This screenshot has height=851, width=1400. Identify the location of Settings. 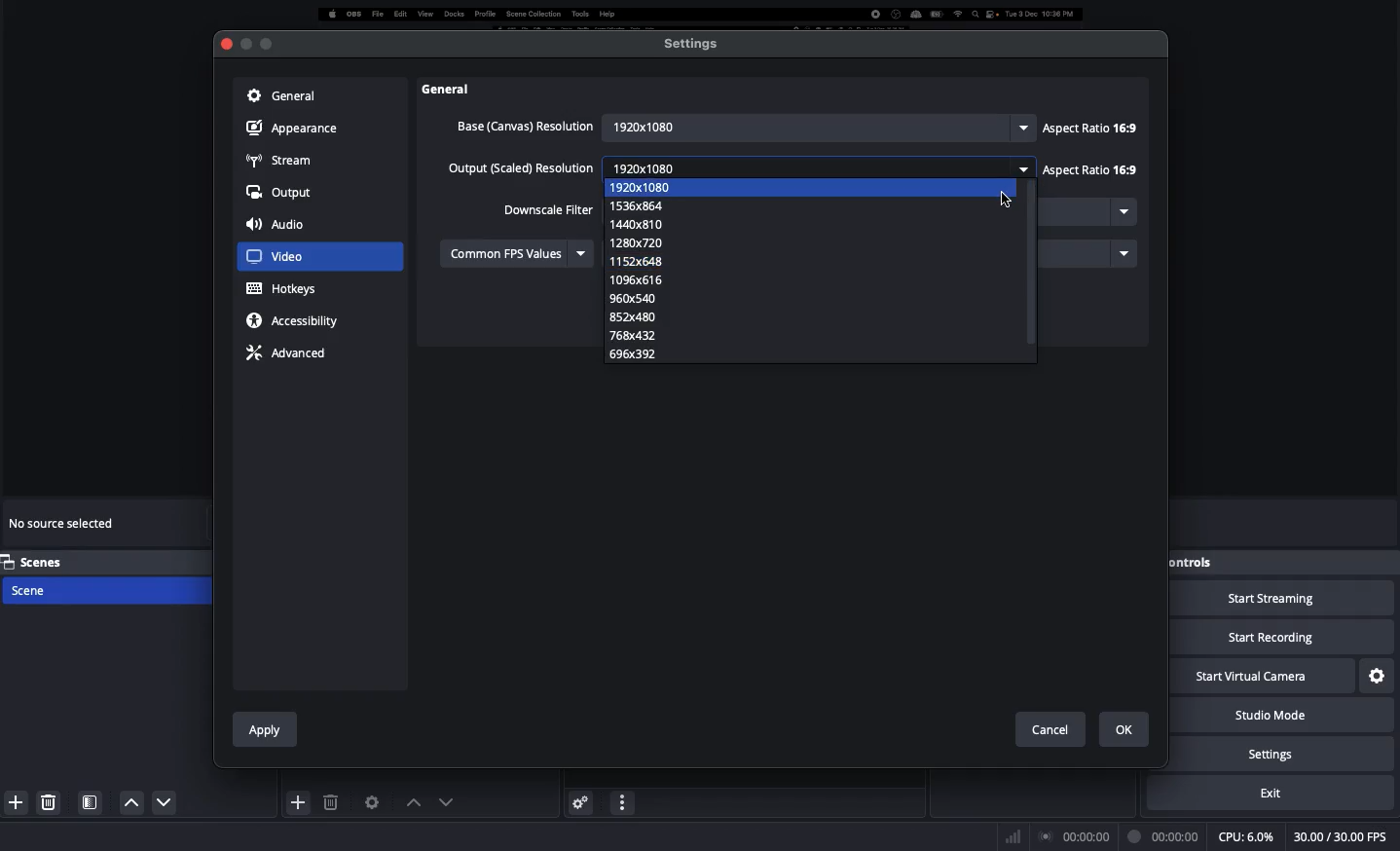
(692, 43).